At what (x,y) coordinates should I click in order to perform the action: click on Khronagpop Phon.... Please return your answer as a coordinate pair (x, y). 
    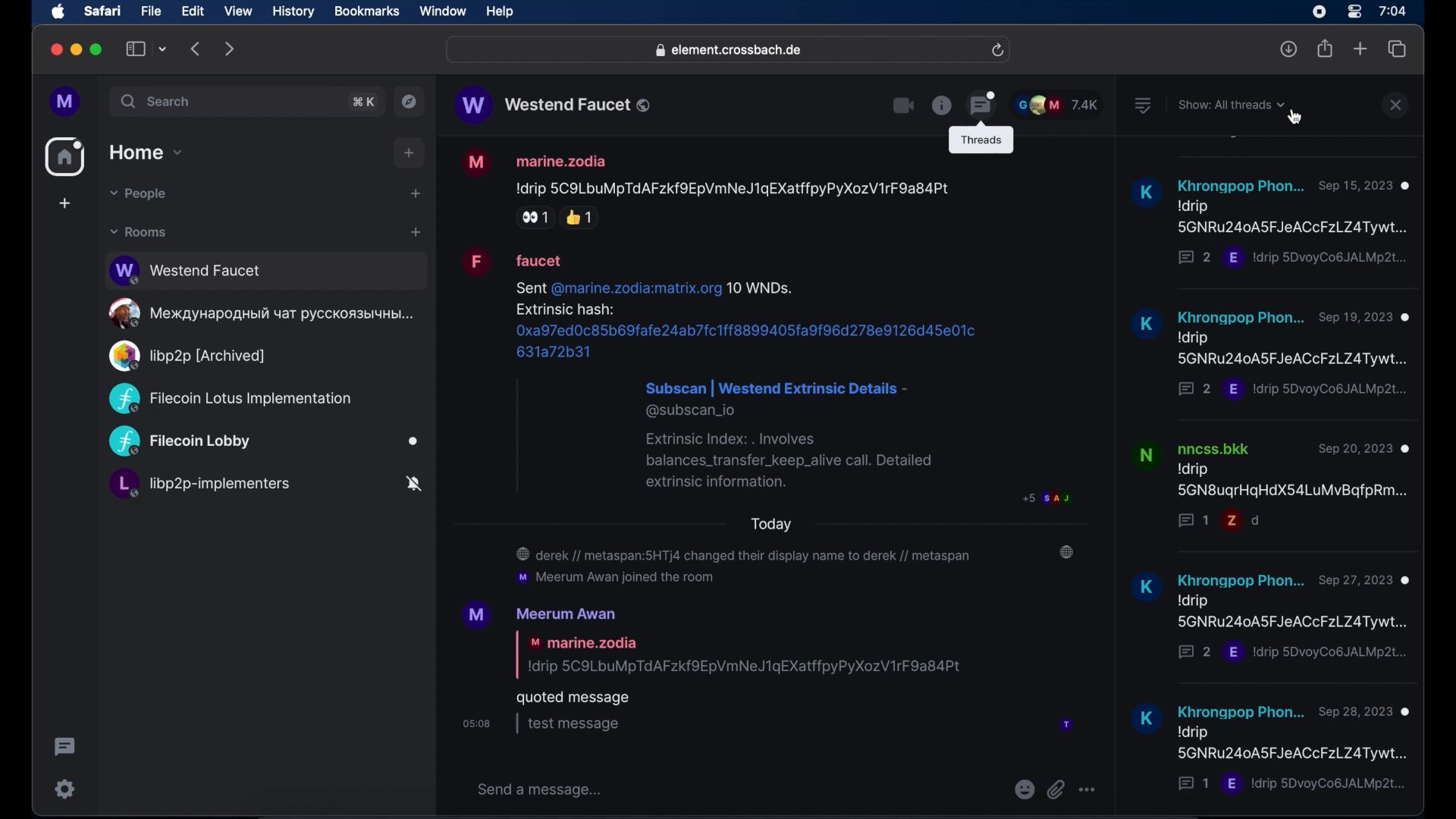
    Looking at the image, I should click on (1241, 709).